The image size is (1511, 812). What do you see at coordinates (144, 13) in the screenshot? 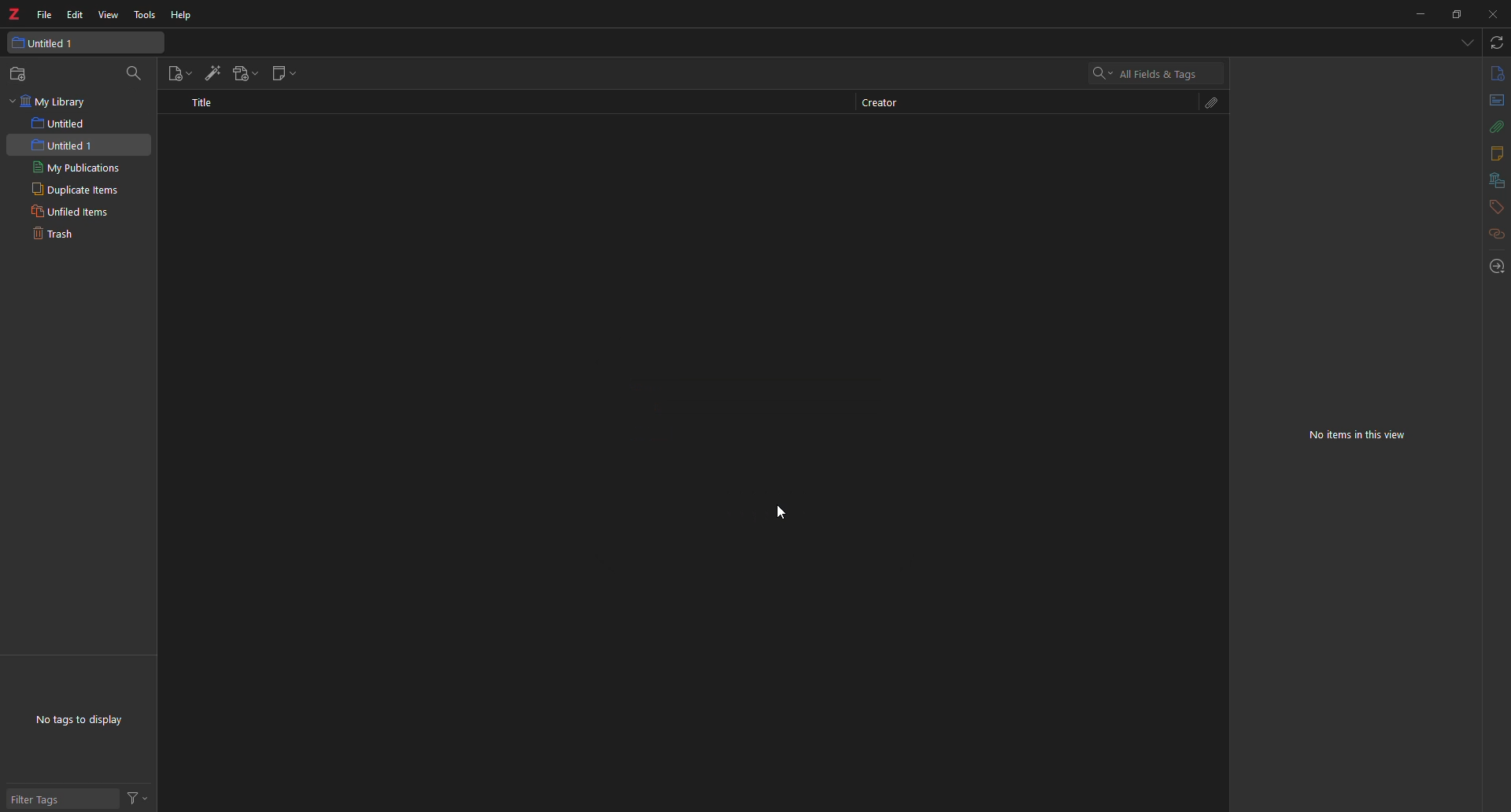
I see `tools` at bounding box center [144, 13].